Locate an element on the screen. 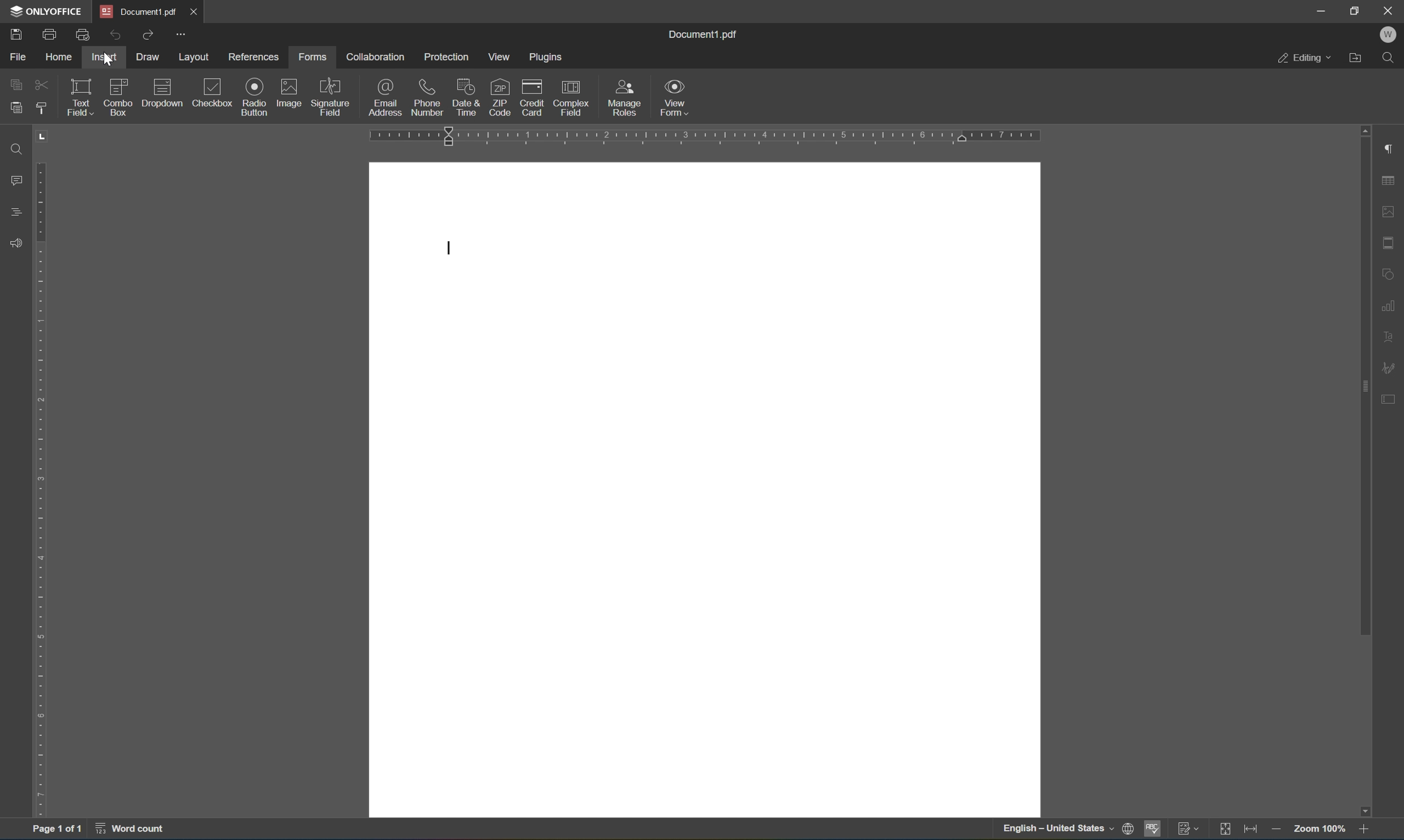 The width and height of the screenshot is (1404, 840). fit to width  is located at coordinates (1251, 831).